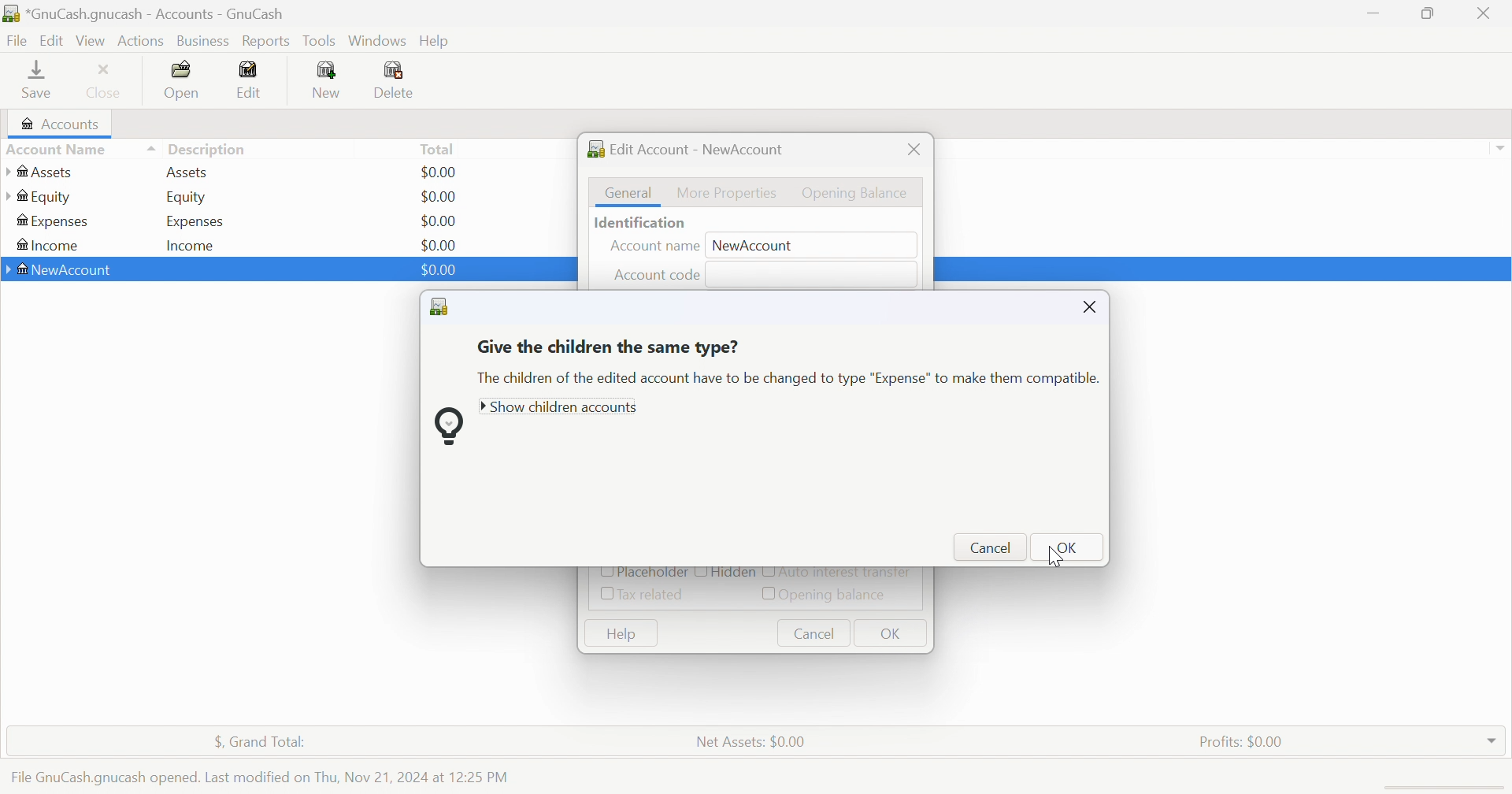 The width and height of the screenshot is (1512, 794). Describe the element at coordinates (651, 573) in the screenshot. I see `Placeholder` at that location.